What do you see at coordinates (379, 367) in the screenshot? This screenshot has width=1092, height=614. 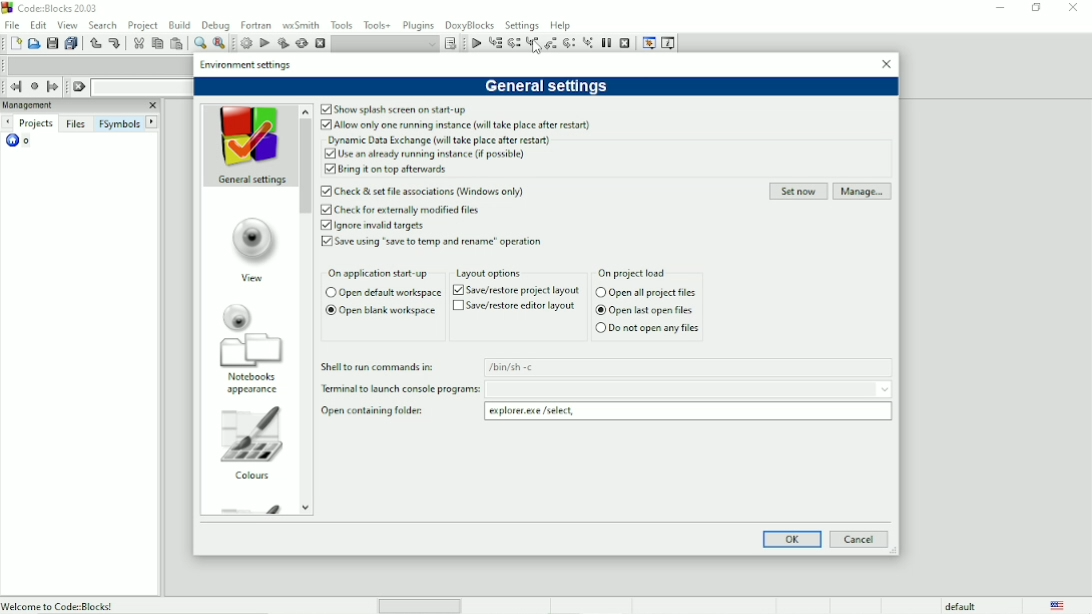 I see `Shell to run commands in` at bounding box center [379, 367].